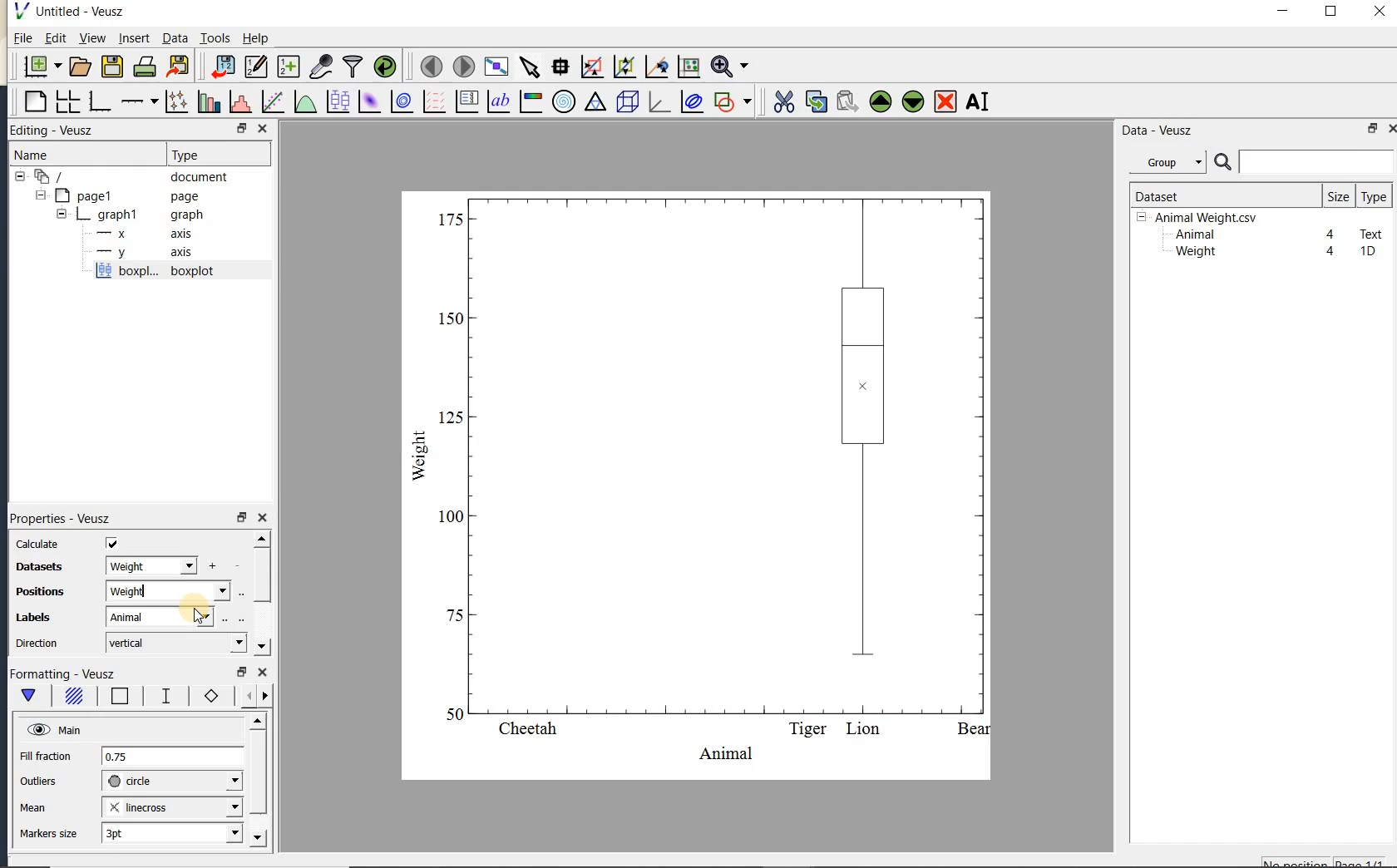 This screenshot has height=868, width=1397. I want to click on calculate, so click(39, 545).